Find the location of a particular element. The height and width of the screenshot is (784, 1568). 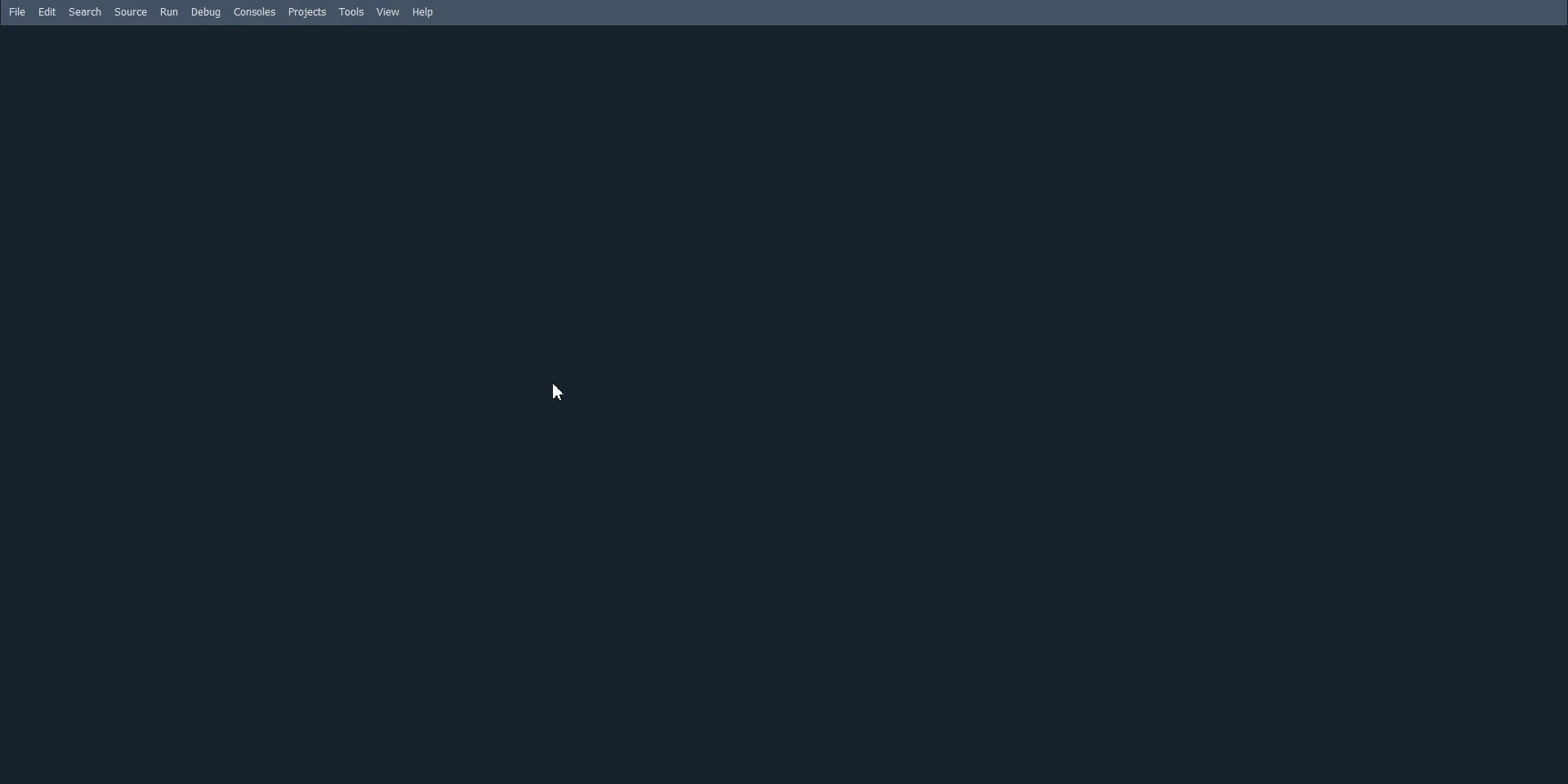

Debug is located at coordinates (206, 12).